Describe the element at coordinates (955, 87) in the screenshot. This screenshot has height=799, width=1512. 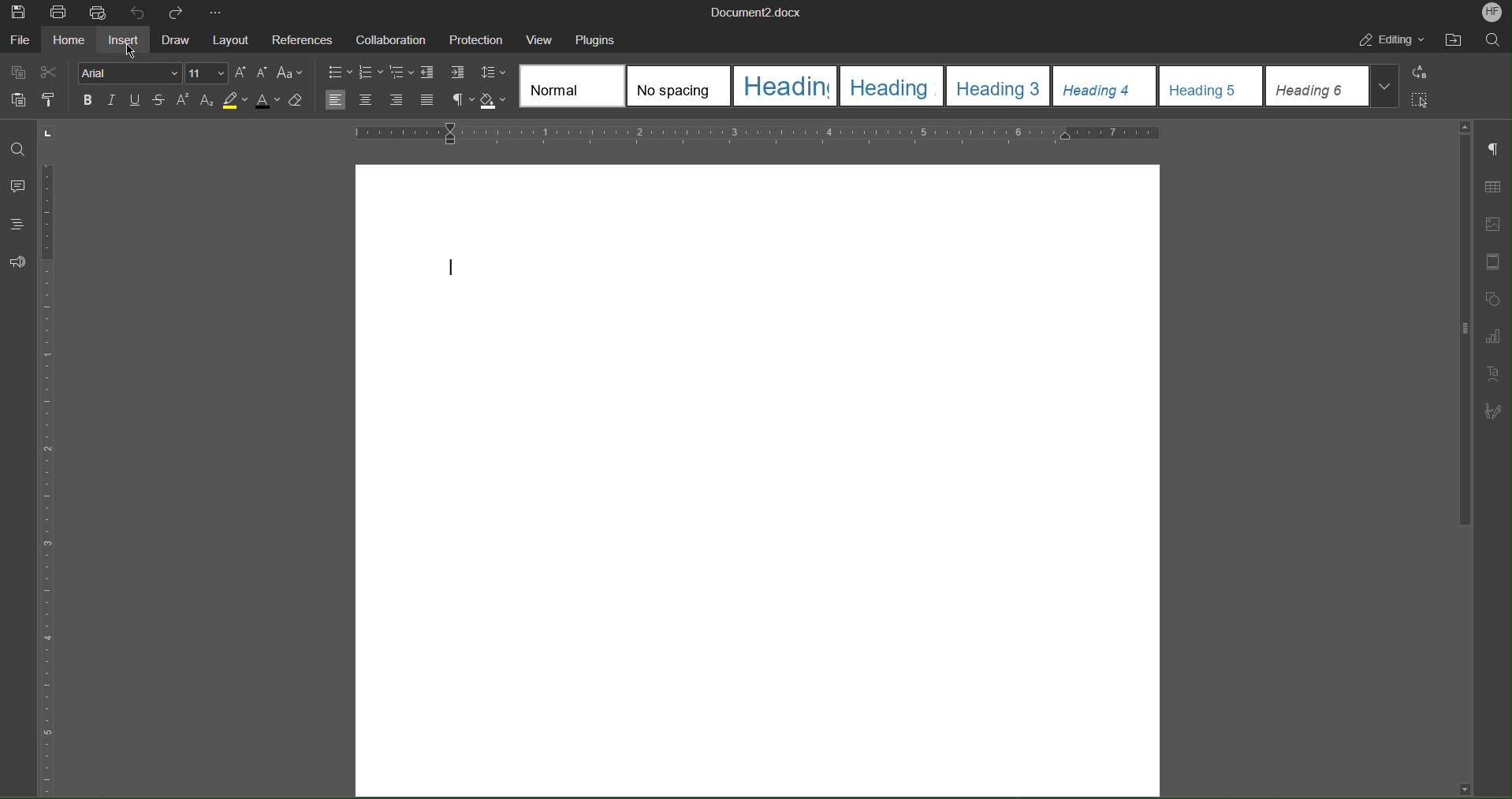
I see `Heading Styles` at that location.